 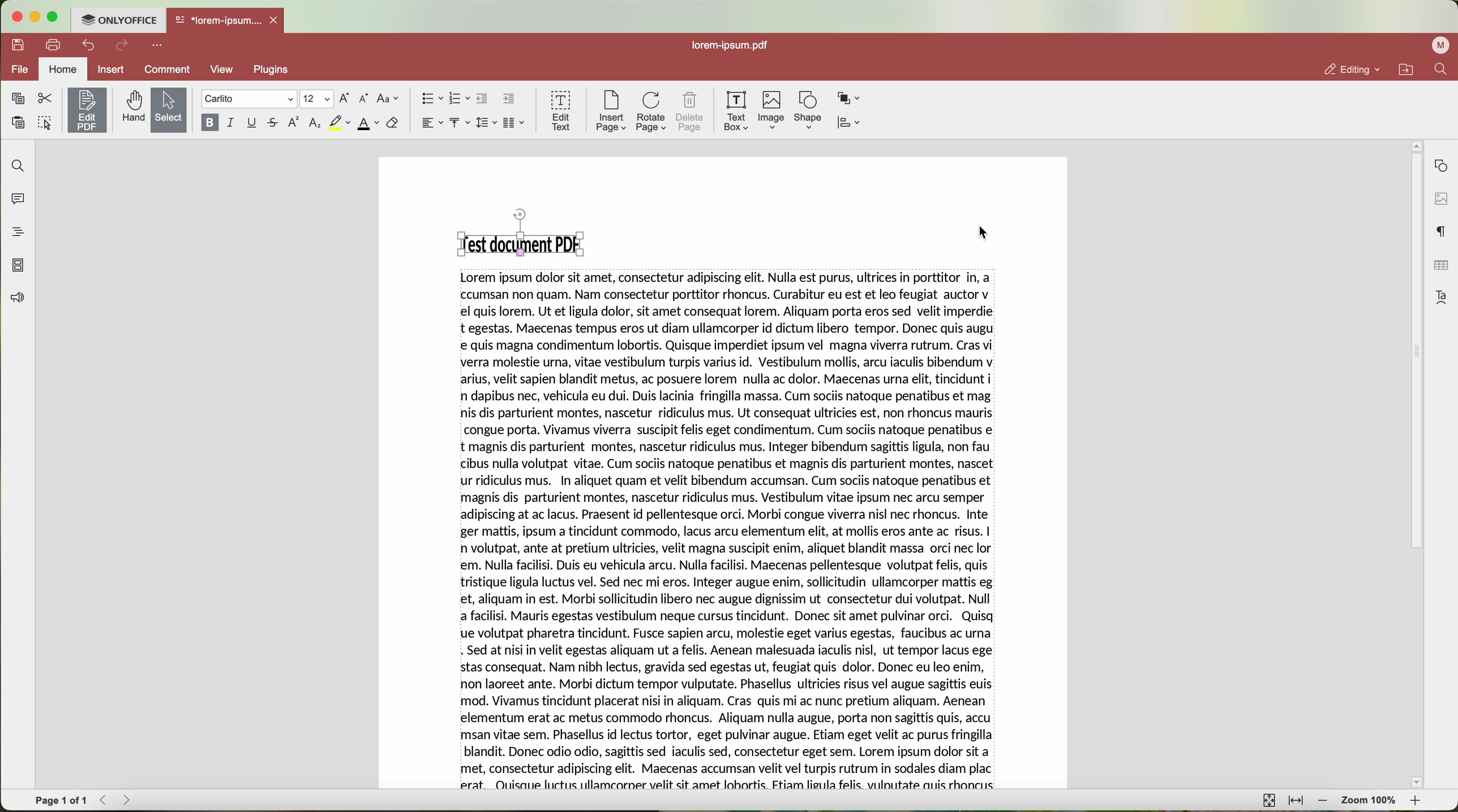 I want to click on zoom 100%, so click(x=1370, y=801).